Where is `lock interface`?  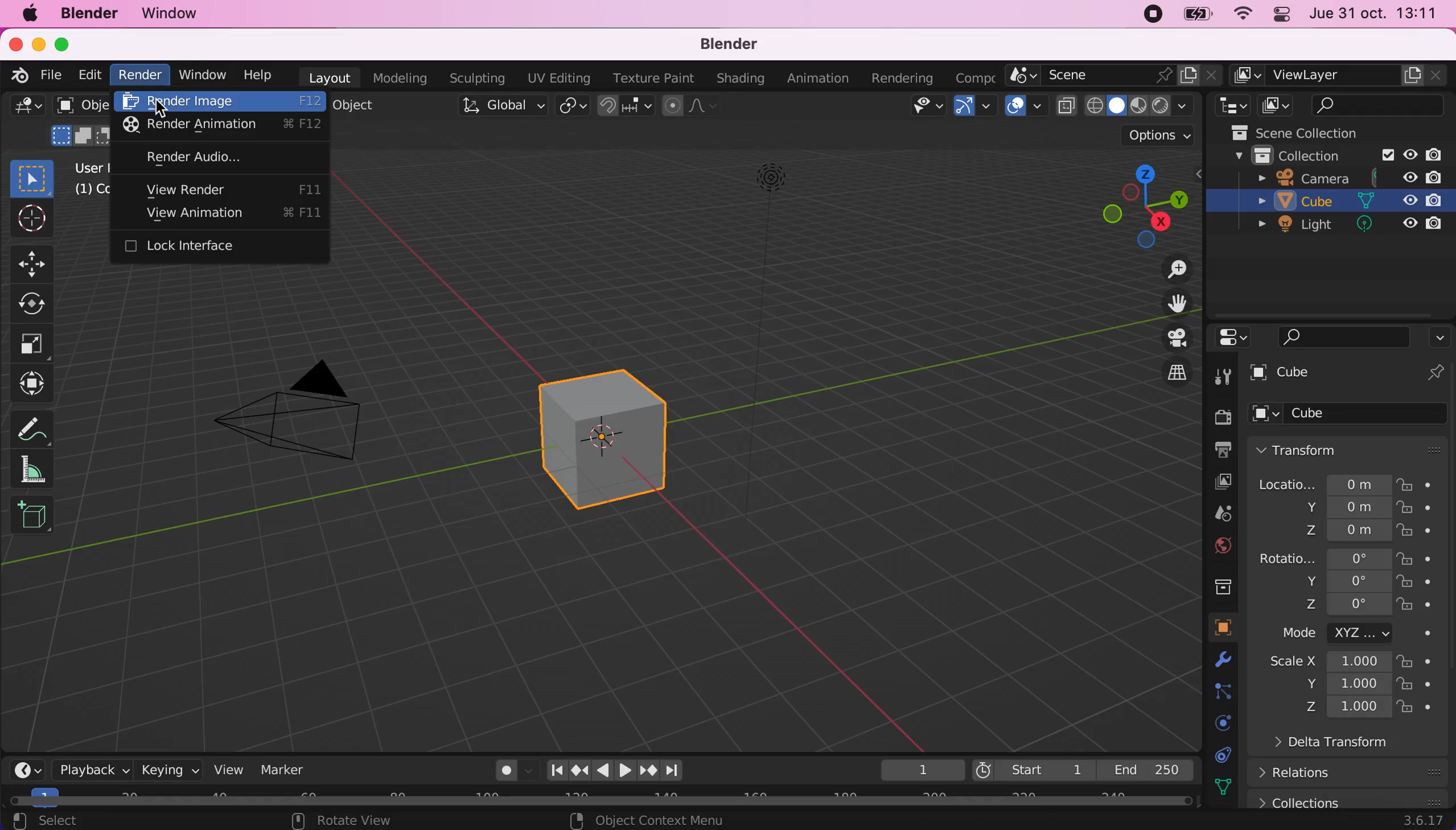 lock interface is located at coordinates (189, 247).